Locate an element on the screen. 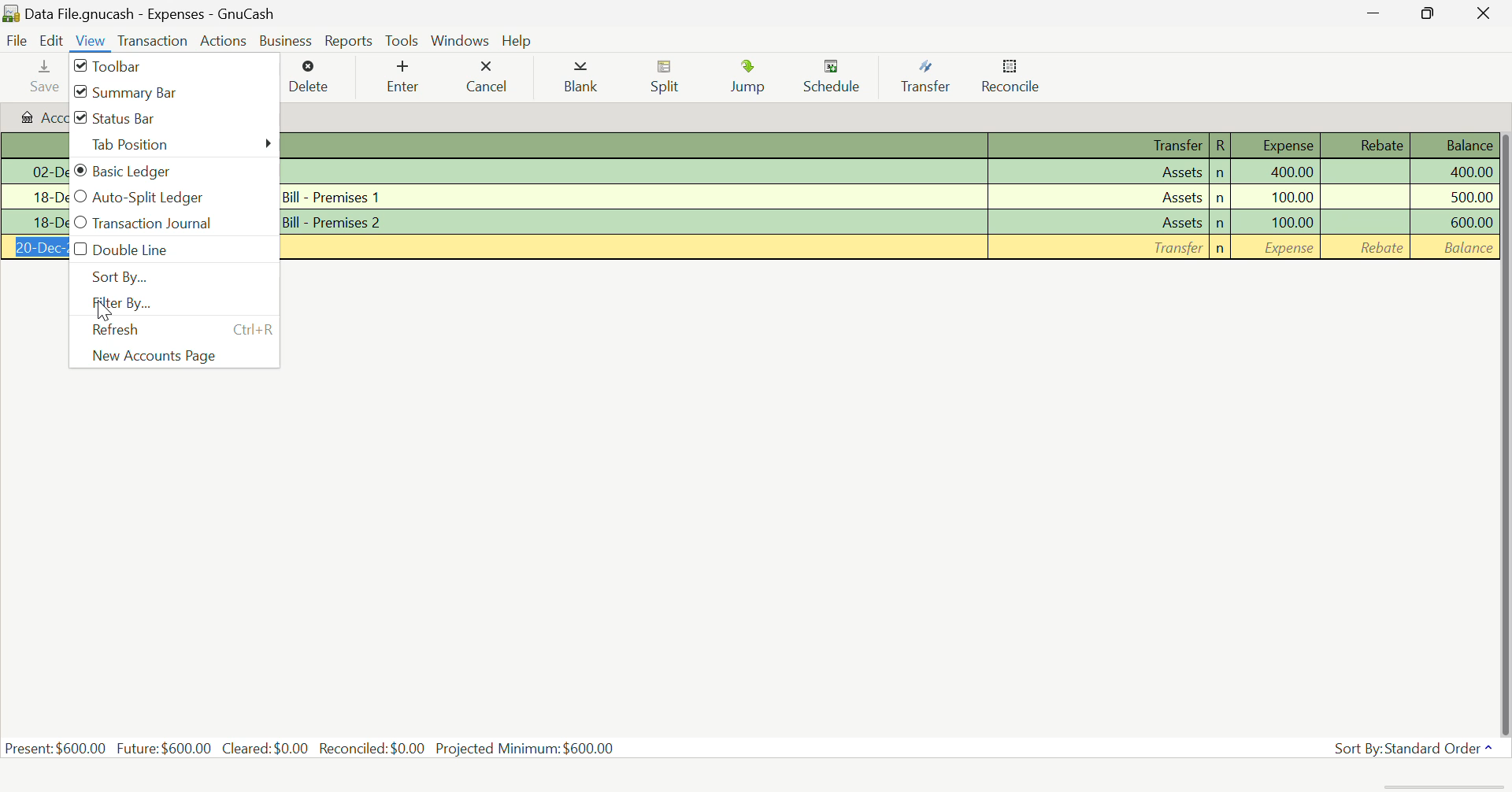 The image size is (1512, 792). File is located at coordinates (17, 41).